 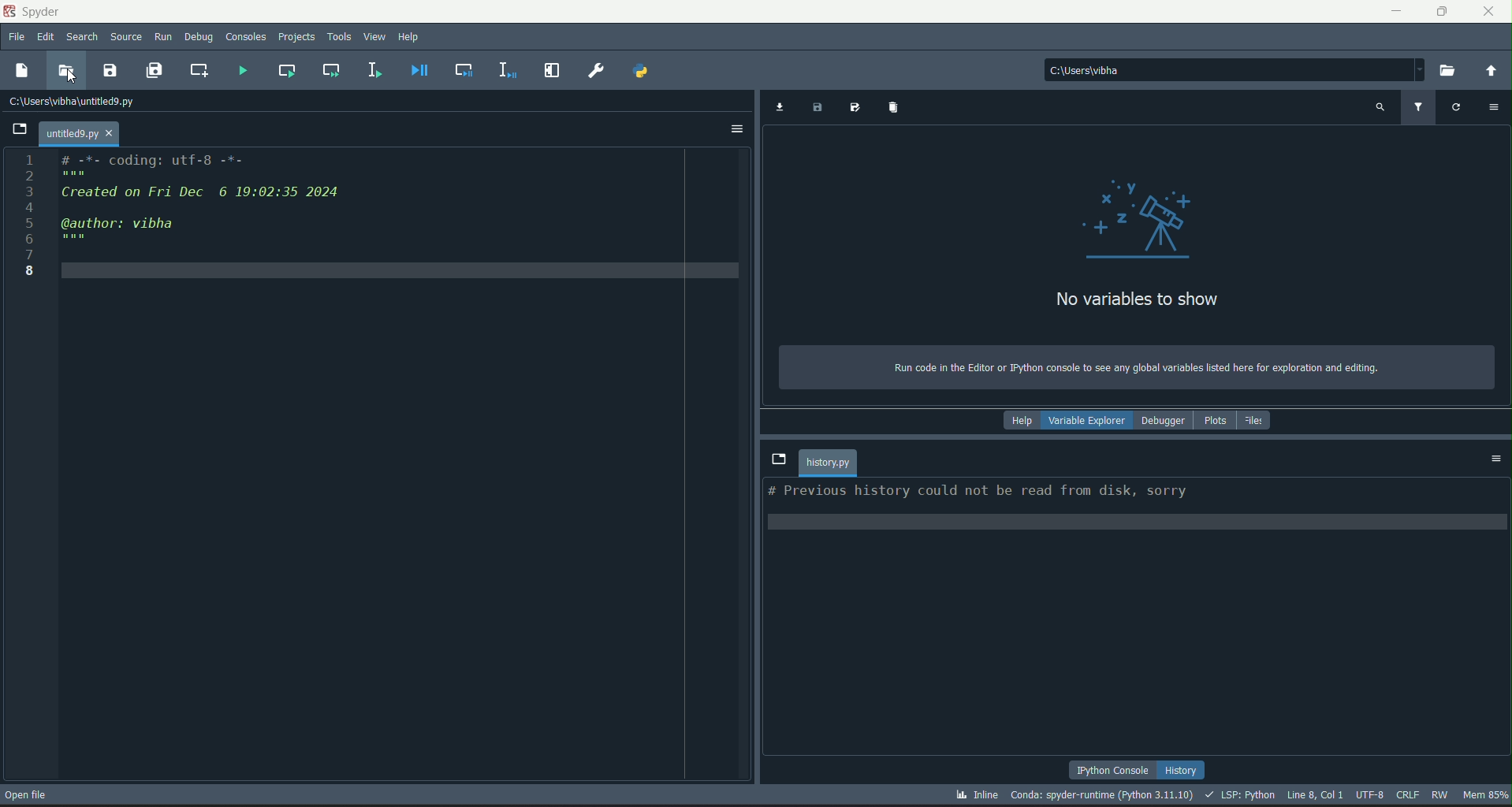 What do you see at coordinates (1394, 9) in the screenshot?
I see `minimize` at bounding box center [1394, 9].